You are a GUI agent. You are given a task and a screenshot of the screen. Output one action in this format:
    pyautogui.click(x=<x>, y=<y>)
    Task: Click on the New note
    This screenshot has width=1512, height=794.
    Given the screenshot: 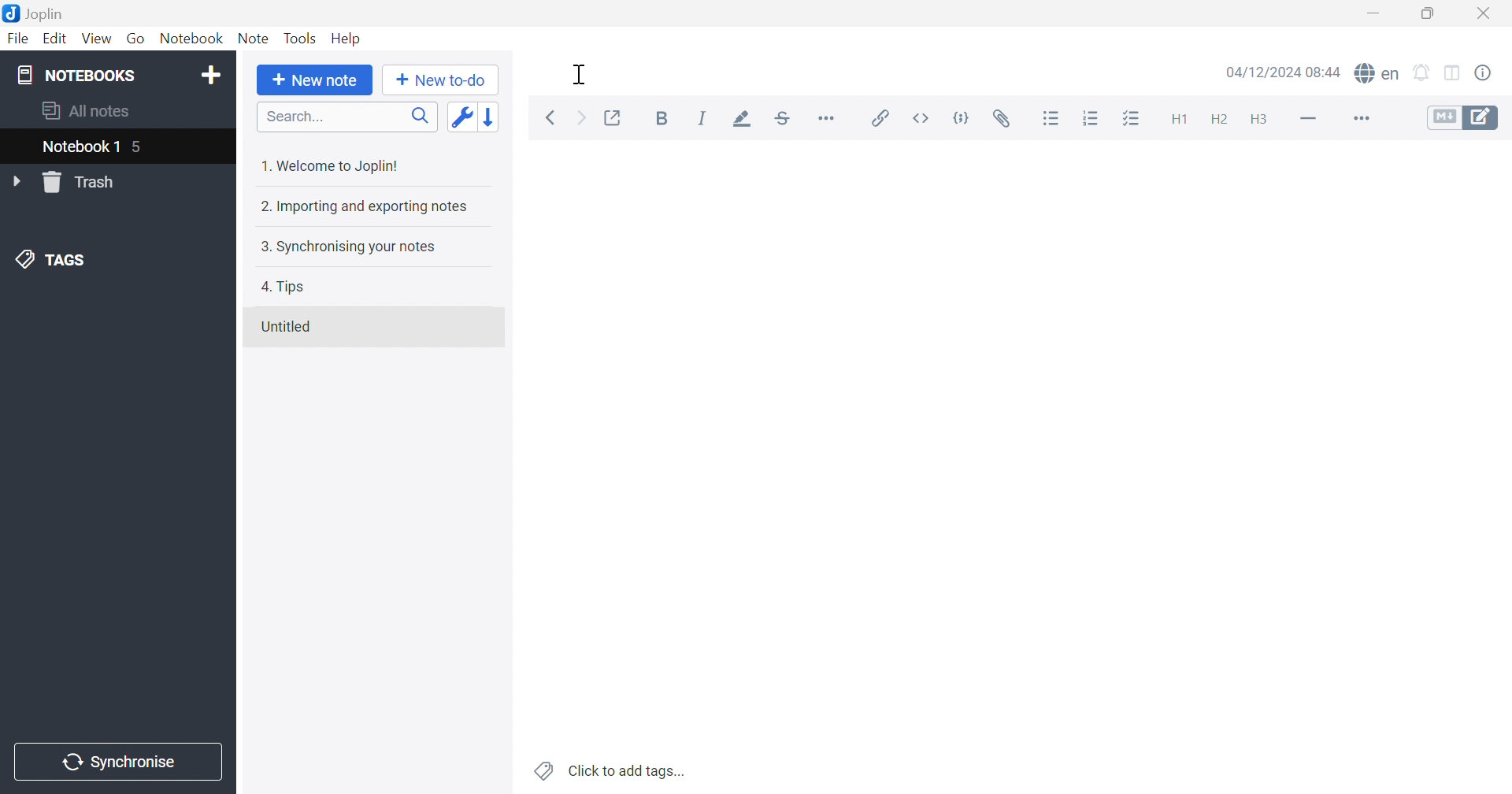 What is the action you would take?
    pyautogui.click(x=314, y=80)
    